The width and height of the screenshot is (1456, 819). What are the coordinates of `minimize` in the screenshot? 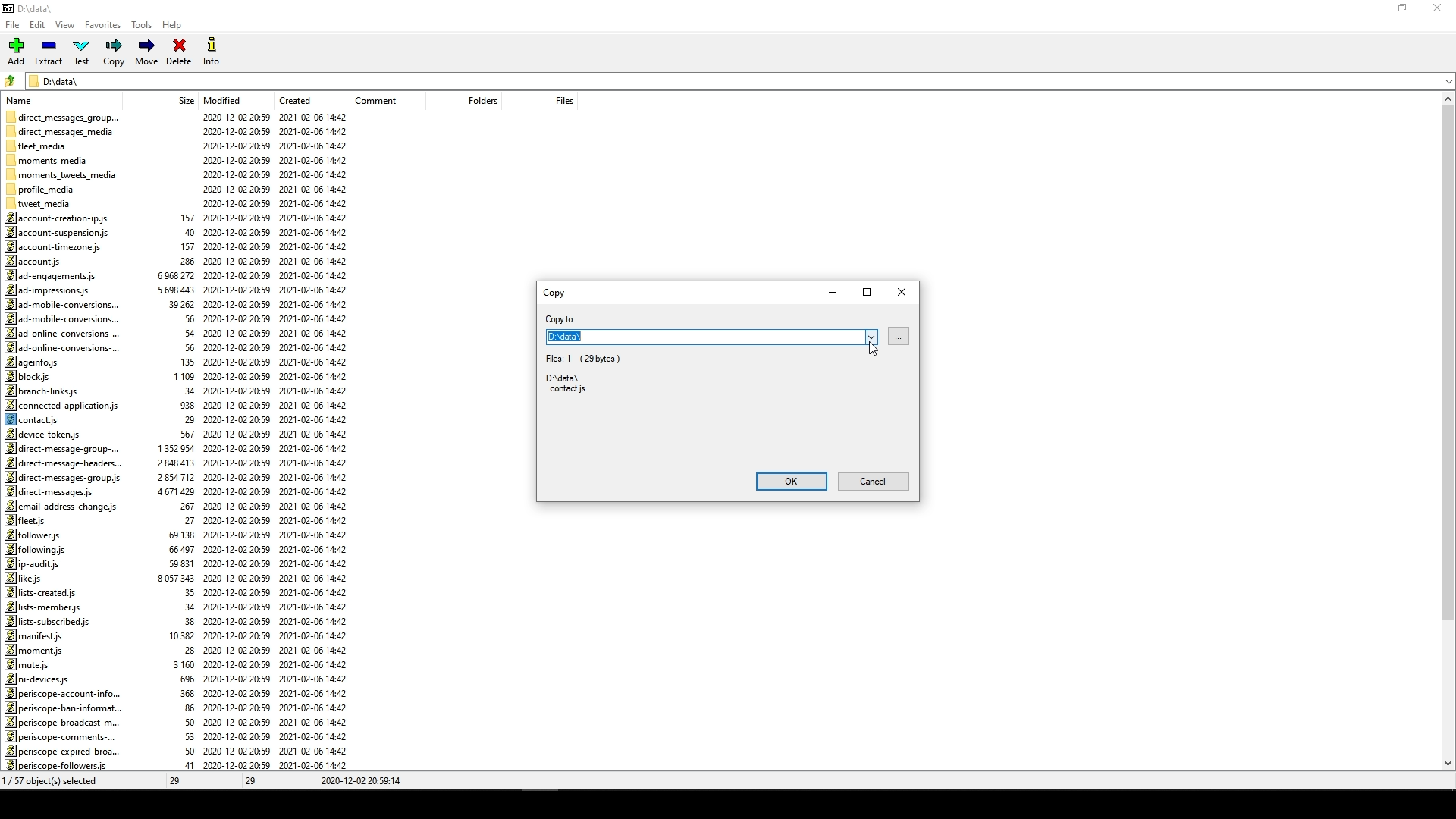 It's located at (831, 291).